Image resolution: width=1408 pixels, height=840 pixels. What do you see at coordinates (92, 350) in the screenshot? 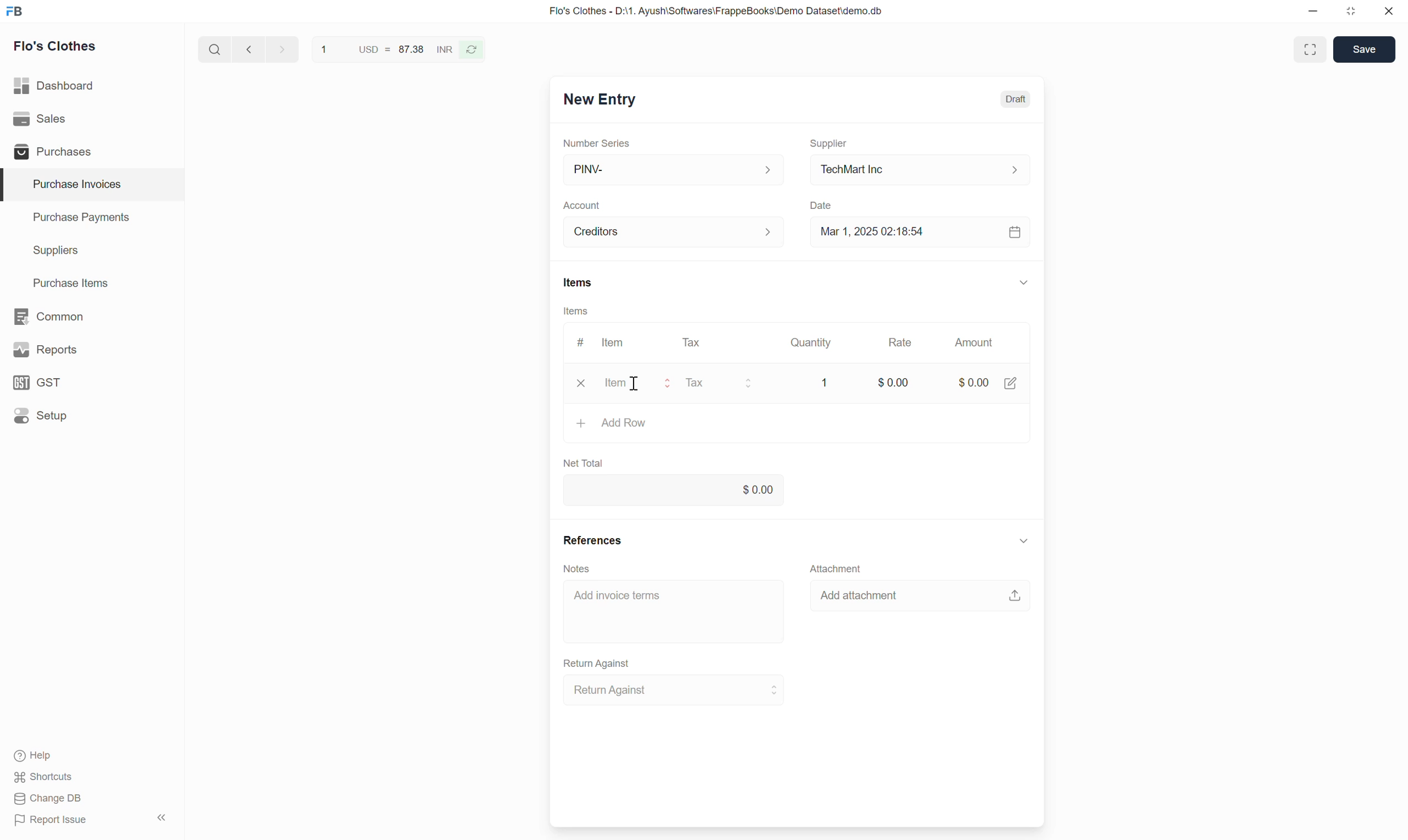
I see `Reports` at bounding box center [92, 350].